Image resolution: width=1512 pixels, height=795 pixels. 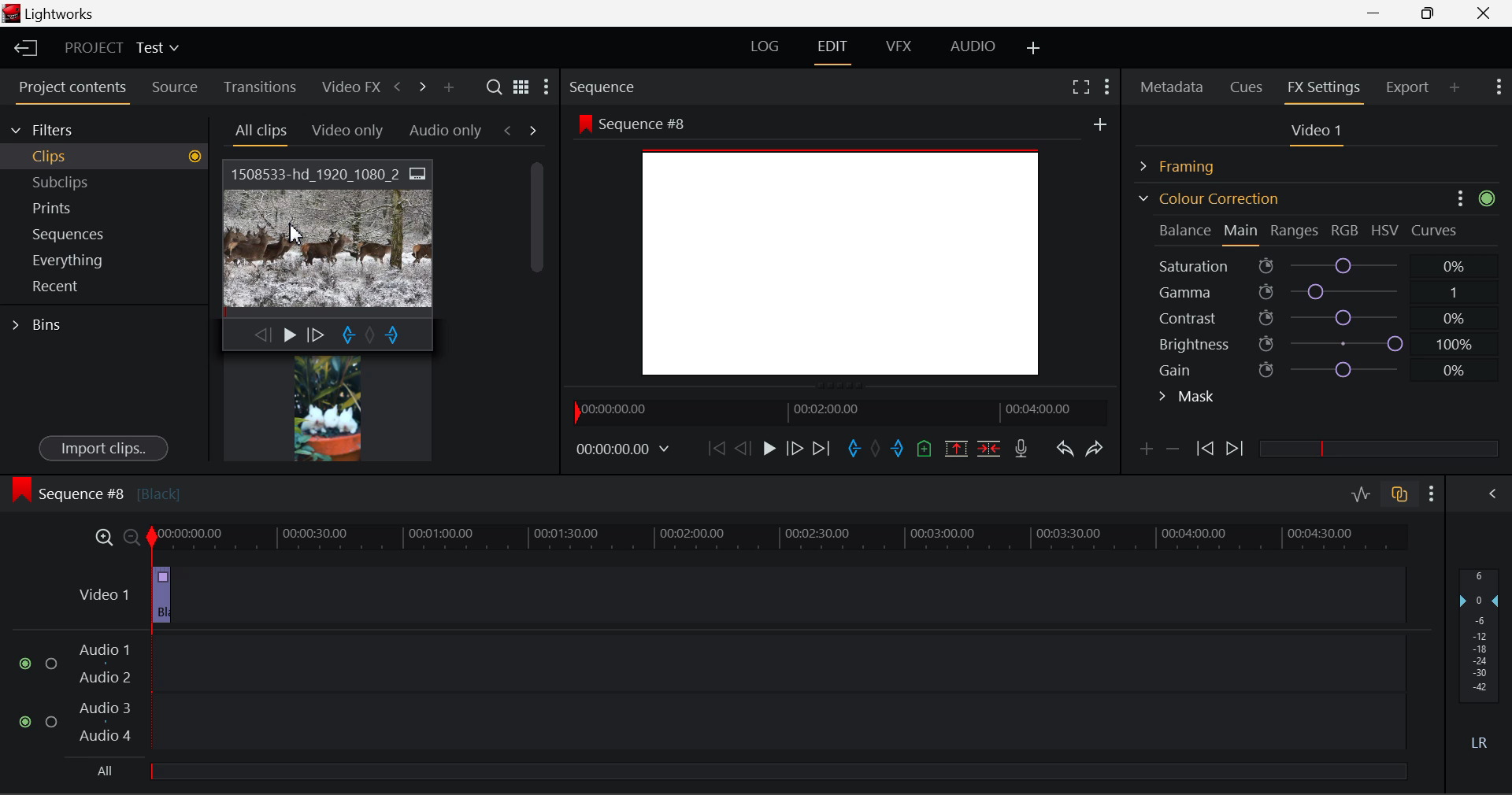 I want to click on slider, so click(x=1378, y=448).